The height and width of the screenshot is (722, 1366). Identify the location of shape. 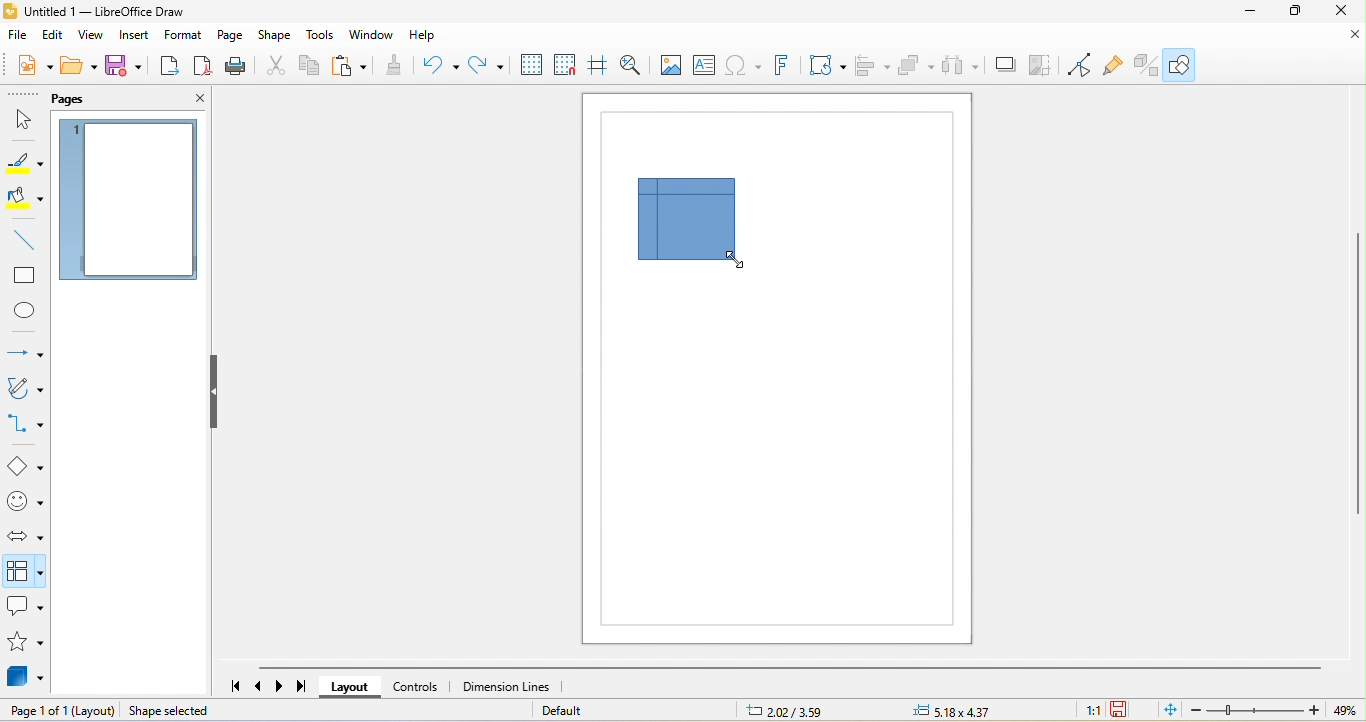
(276, 36).